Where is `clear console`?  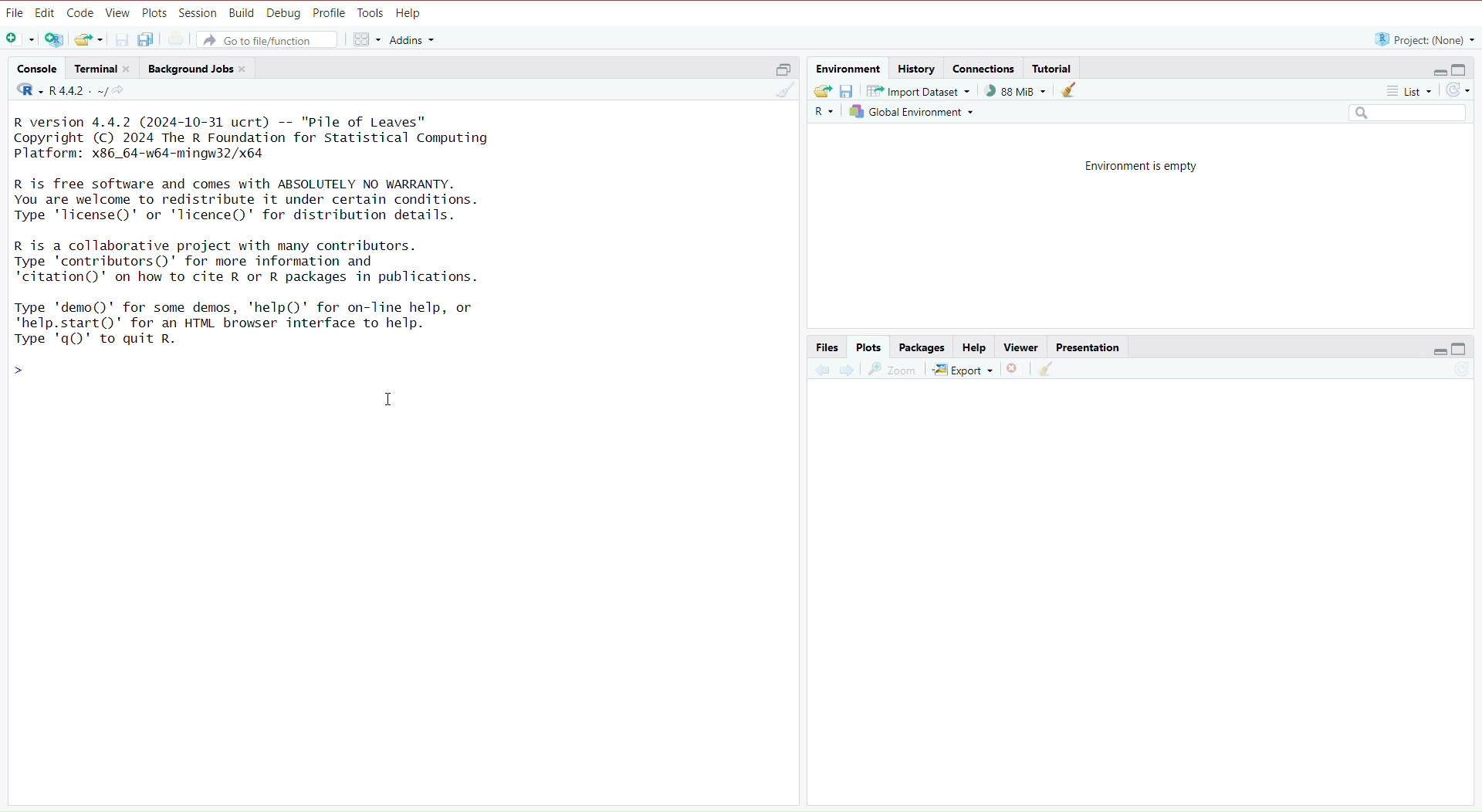 clear console is located at coordinates (779, 92).